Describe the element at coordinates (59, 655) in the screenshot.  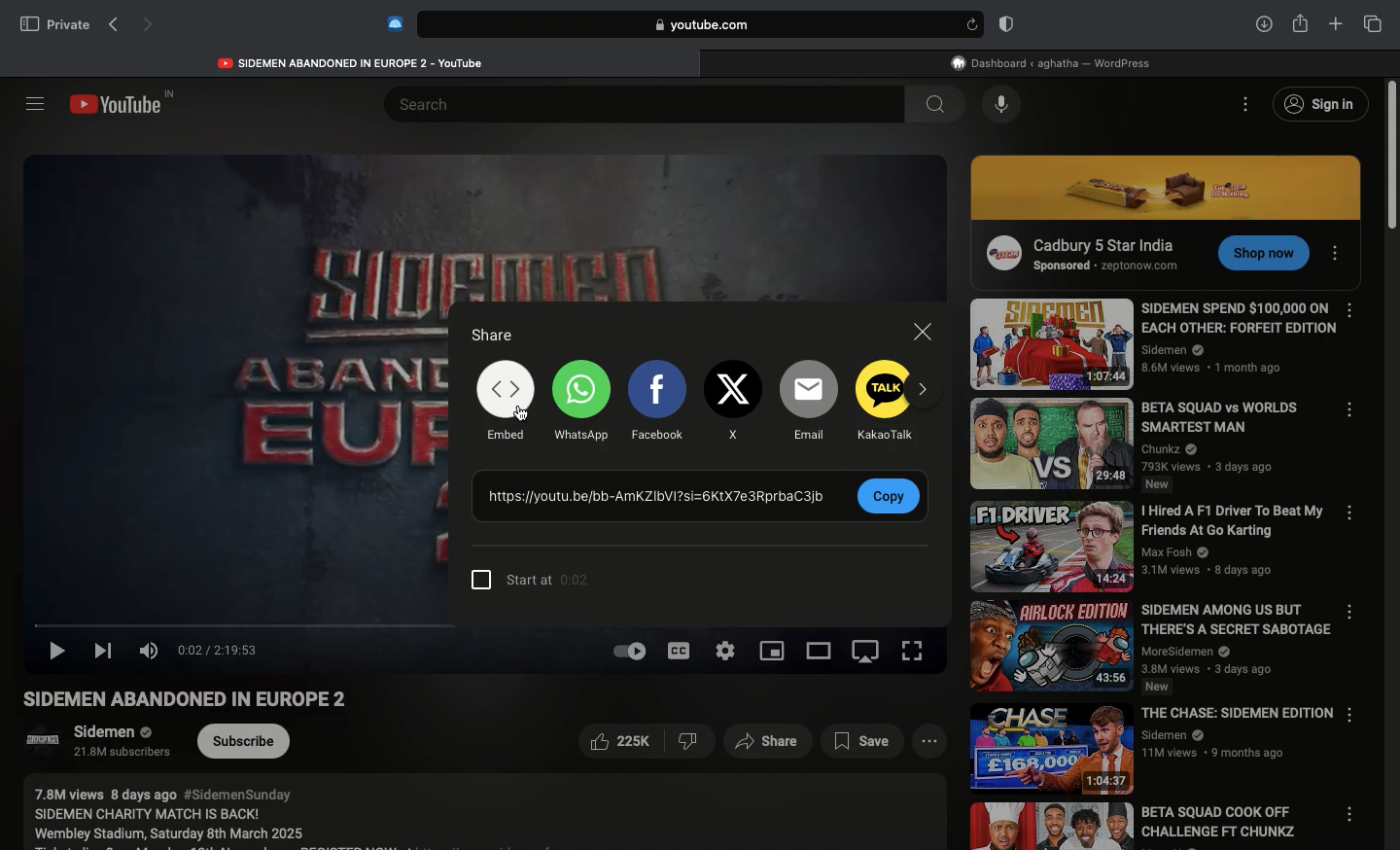
I see `Play` at that location.